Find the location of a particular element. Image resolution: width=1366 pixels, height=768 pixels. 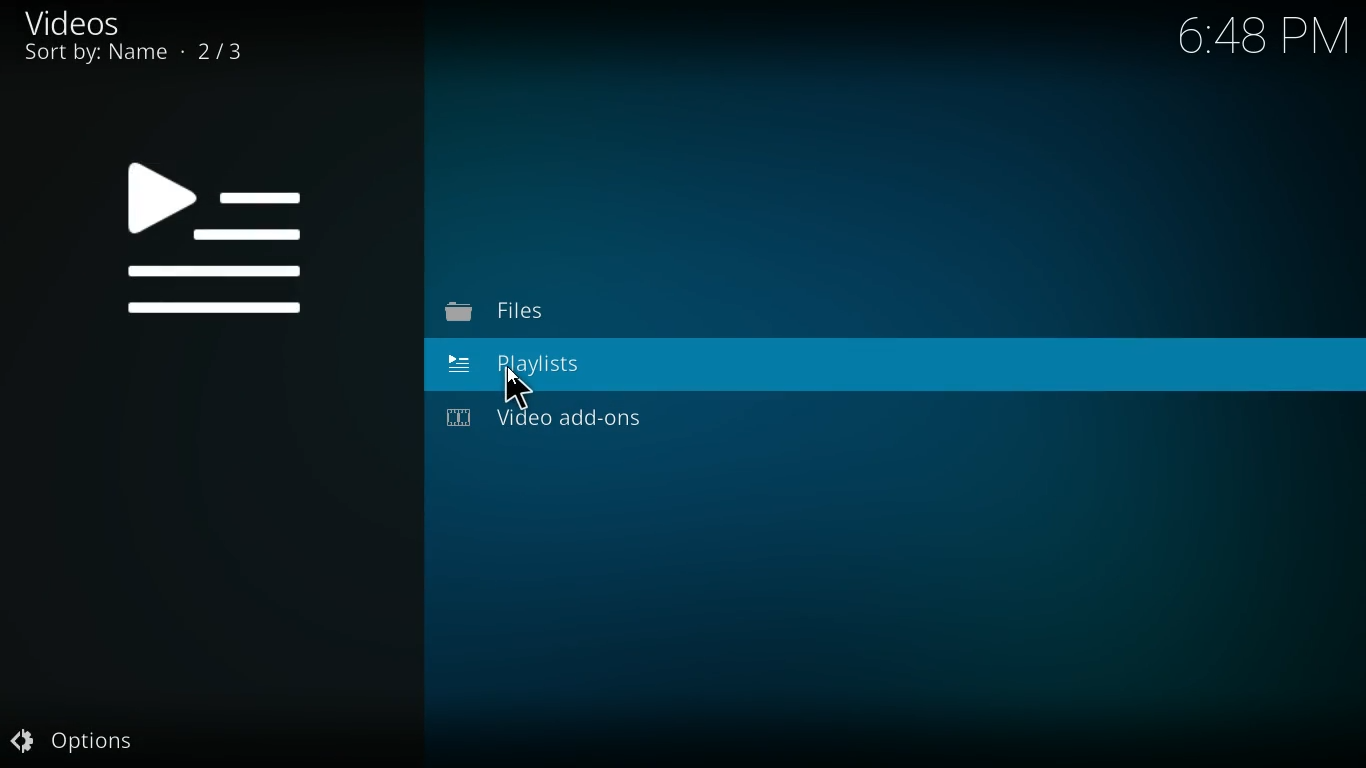

time is located at coordinates (1255, 36).